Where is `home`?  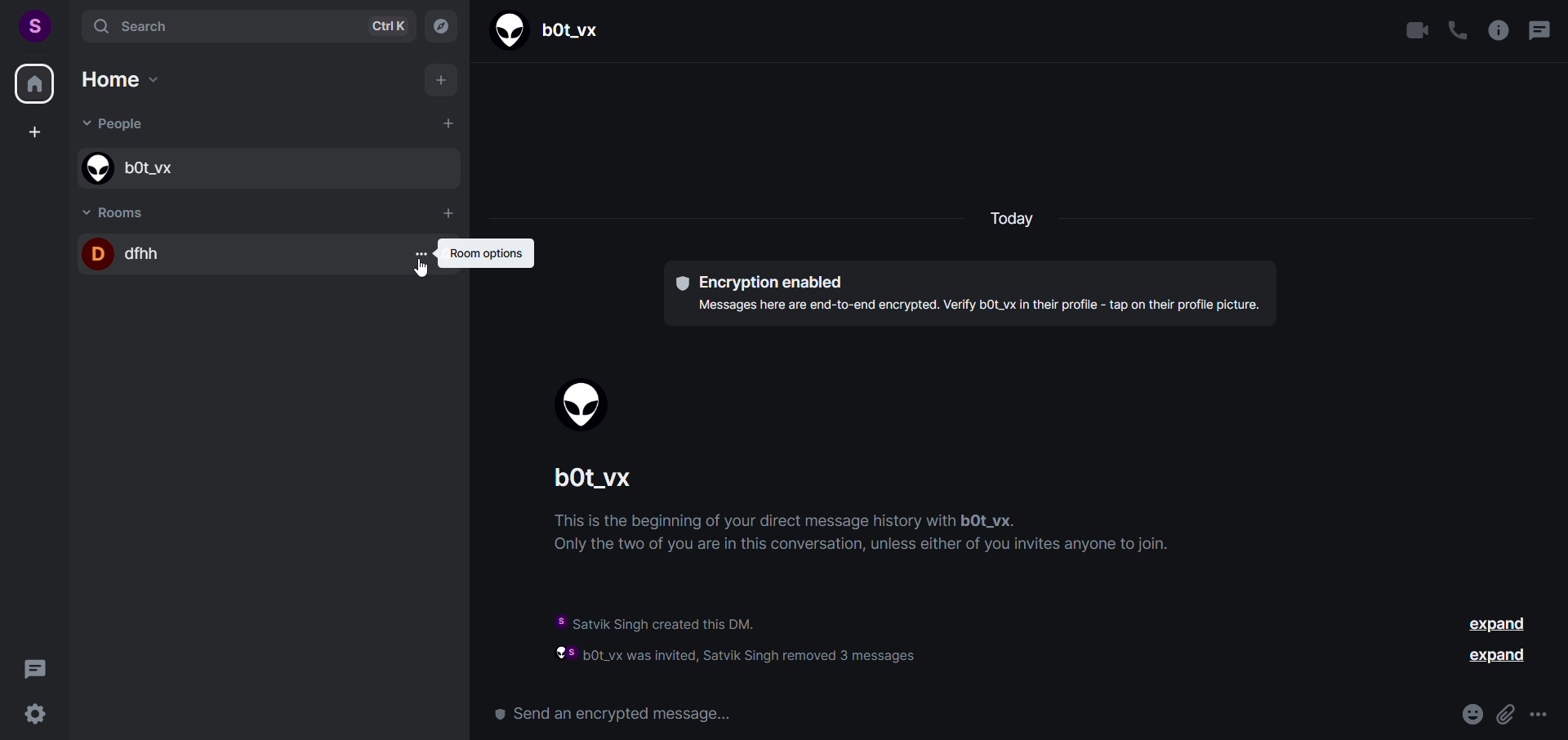
home is located at coordinates (34, 87).